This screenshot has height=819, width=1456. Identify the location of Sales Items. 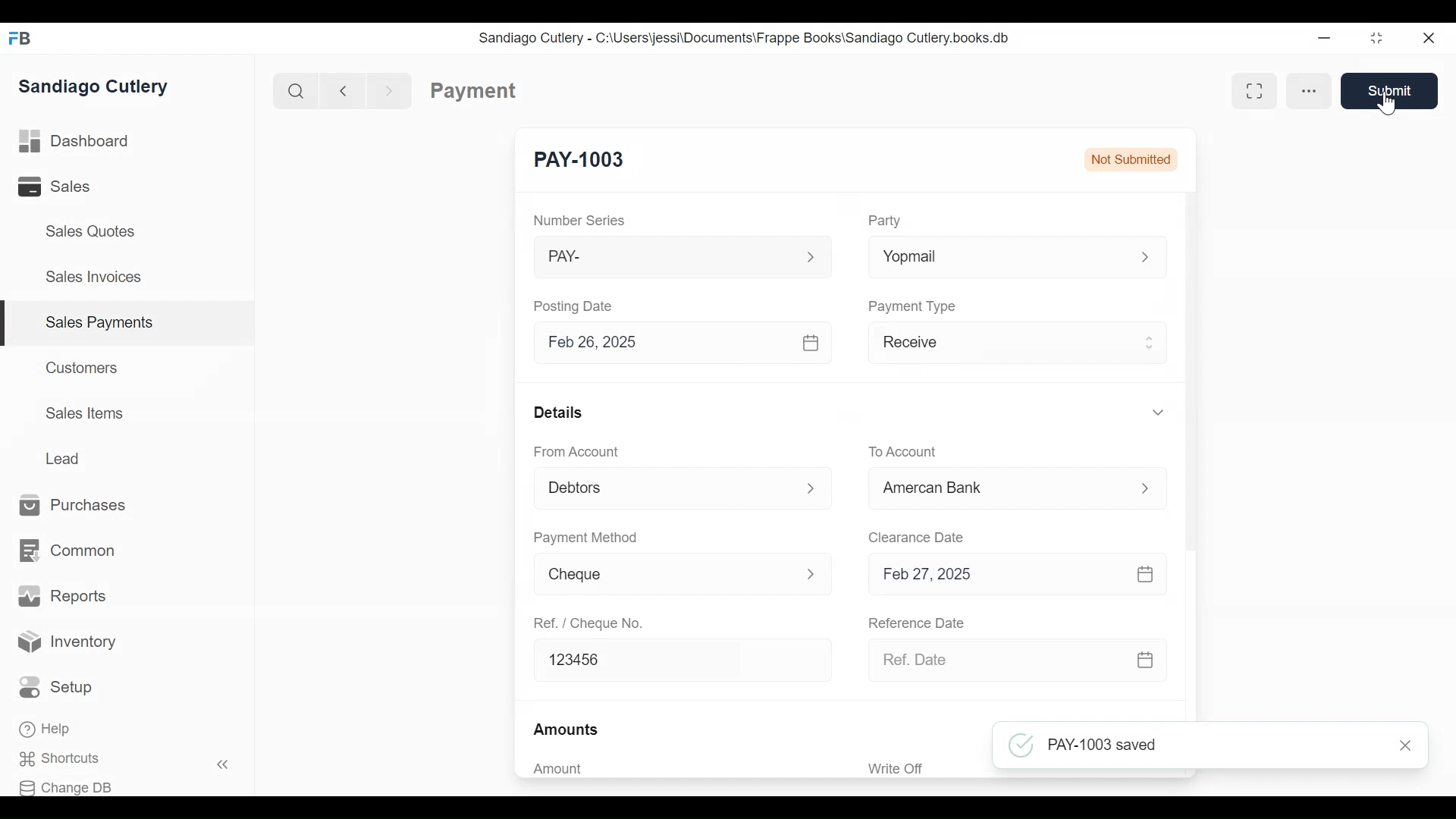
(85, 413).